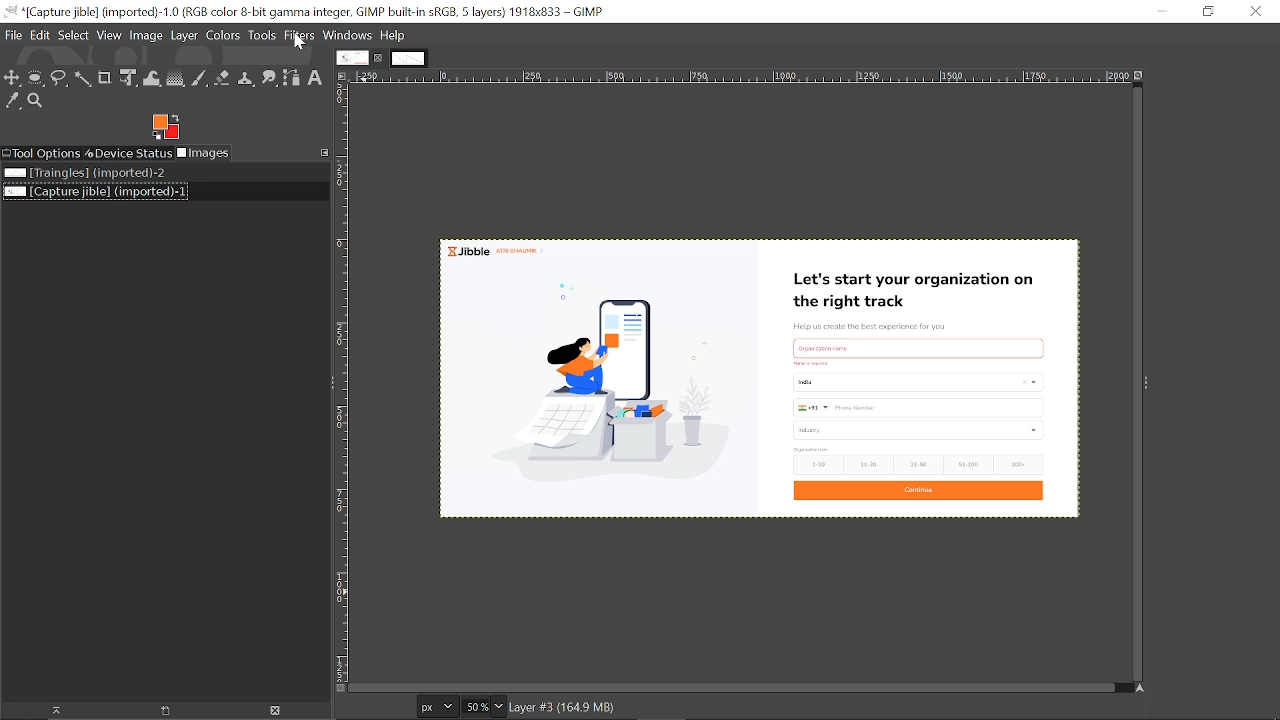 This screenshot has height=720, width=1280. What do you see at coordinates (262, 35) in the screenshot?
I see `Tools` at bounding box center [262, 35].